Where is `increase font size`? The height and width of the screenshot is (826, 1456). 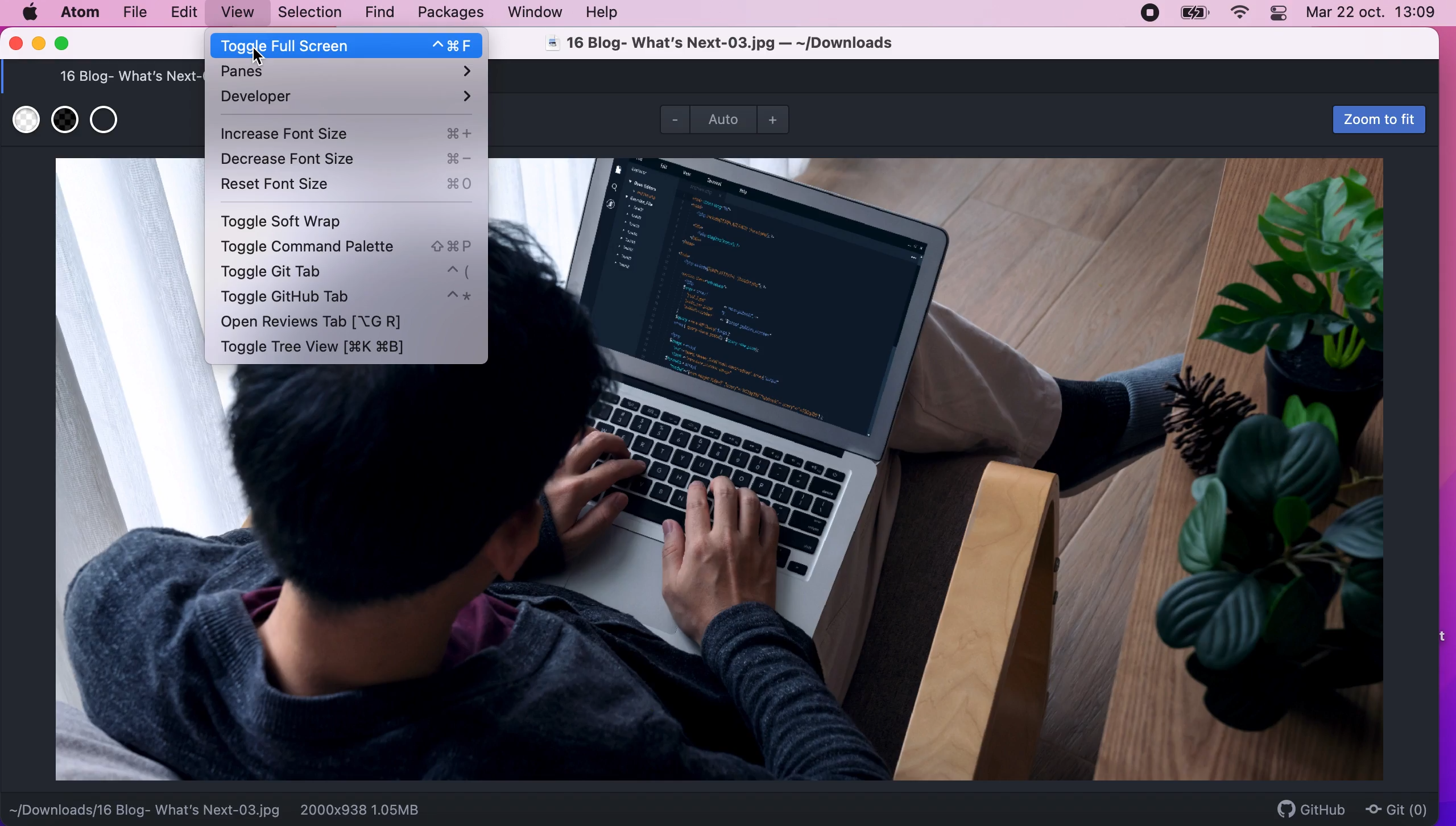 increase font size is located at coordinates (350, 136).